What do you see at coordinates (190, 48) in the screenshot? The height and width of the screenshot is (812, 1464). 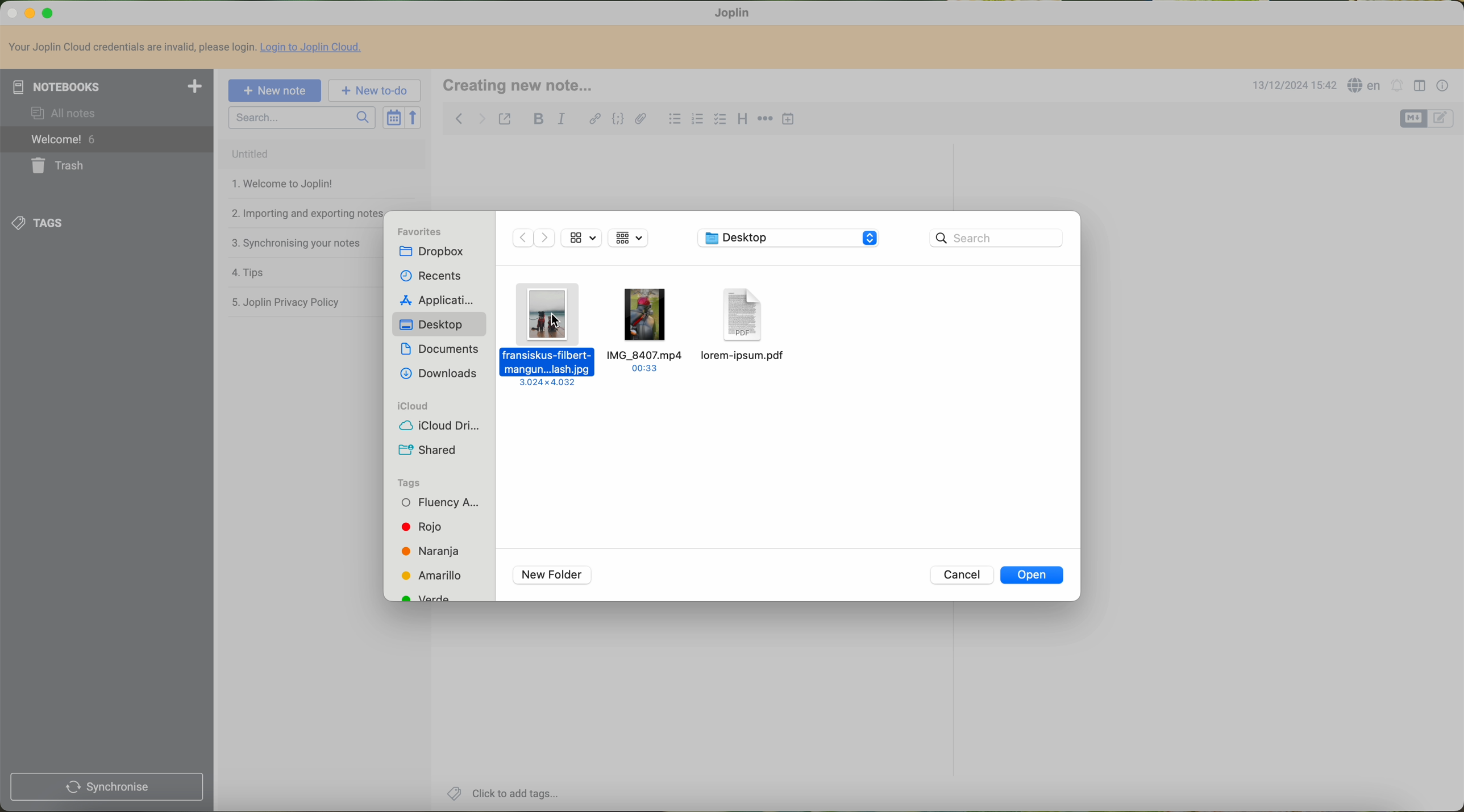 I see `Your Joplin Cloud credentials are invalid, please login. Login to Joplin Cloud` at bounding box center [190, 48].